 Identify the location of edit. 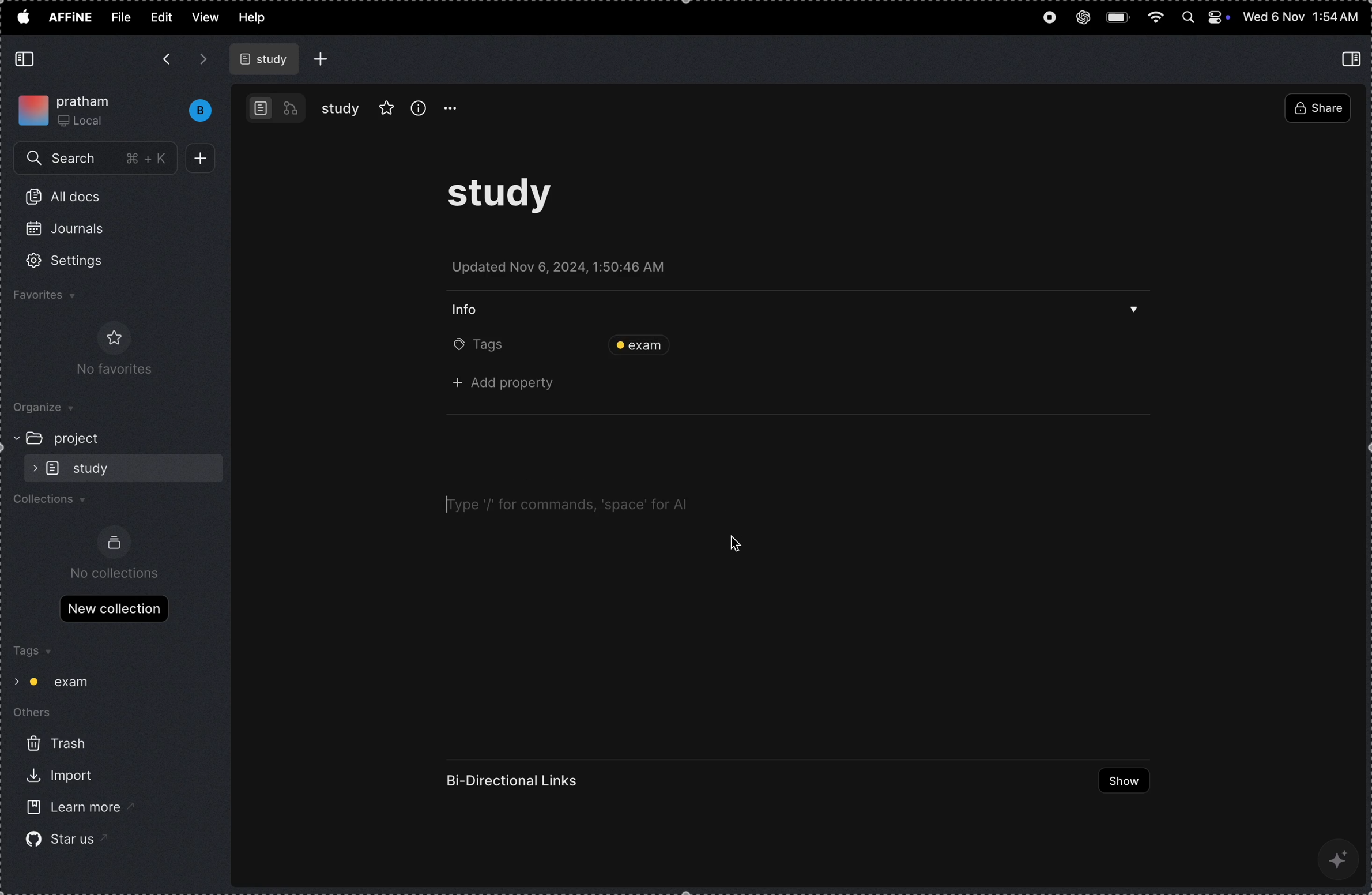
(160, 16).